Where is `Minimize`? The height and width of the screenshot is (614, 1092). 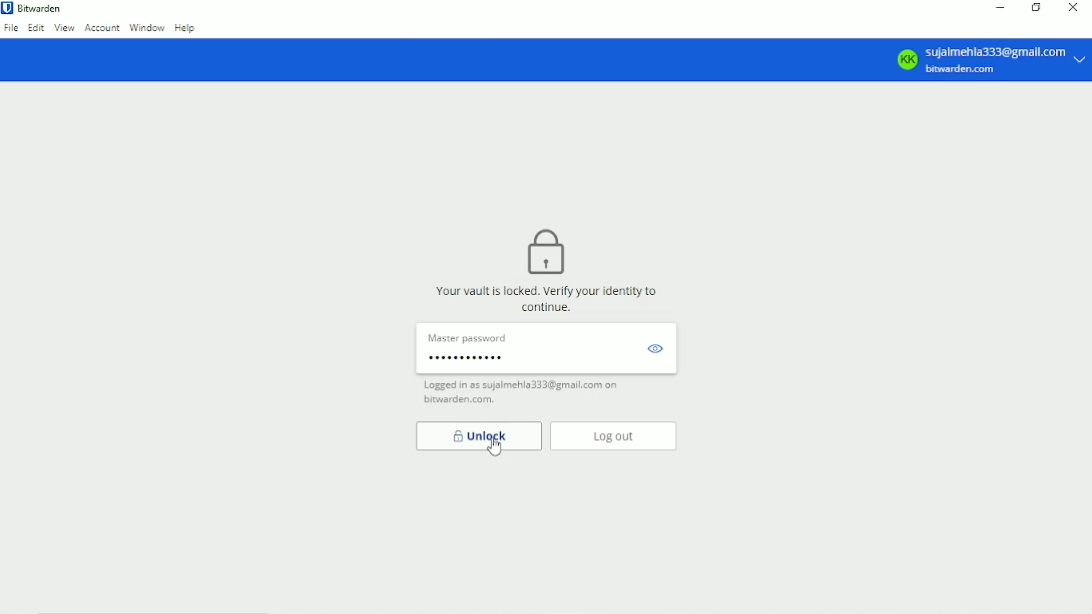 Minimize is located at coordinates (1001, 7).